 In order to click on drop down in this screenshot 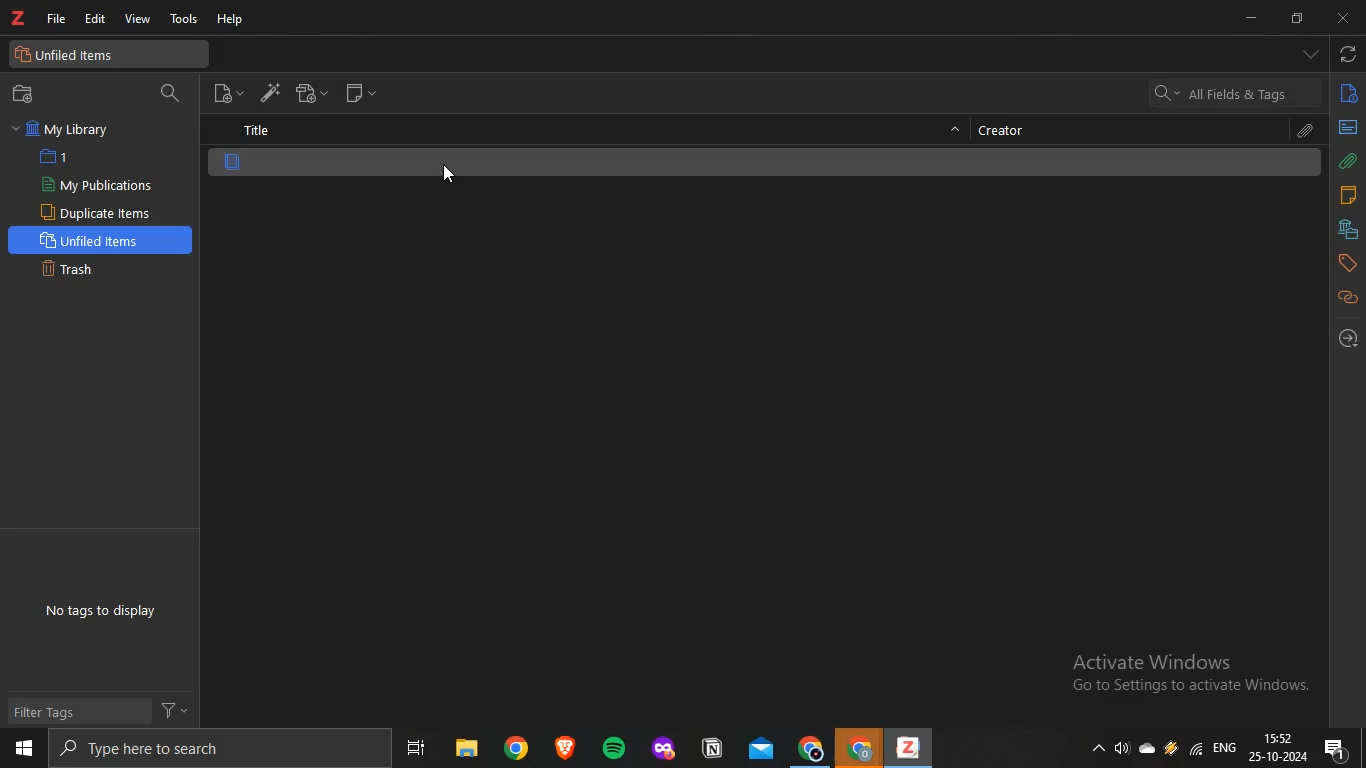, I will do `click(1311, 54)`.